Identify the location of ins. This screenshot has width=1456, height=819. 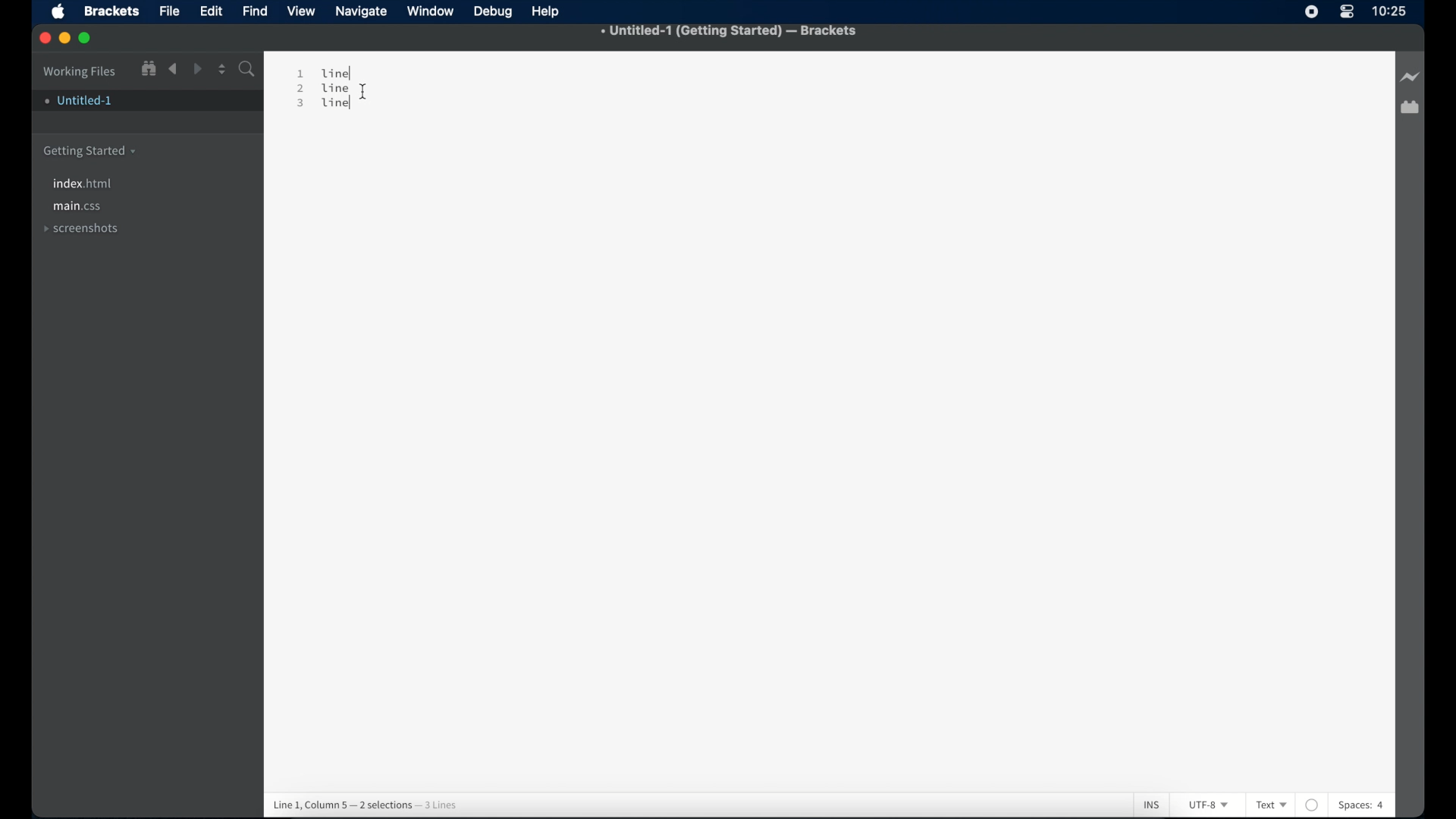
(1140, 795).